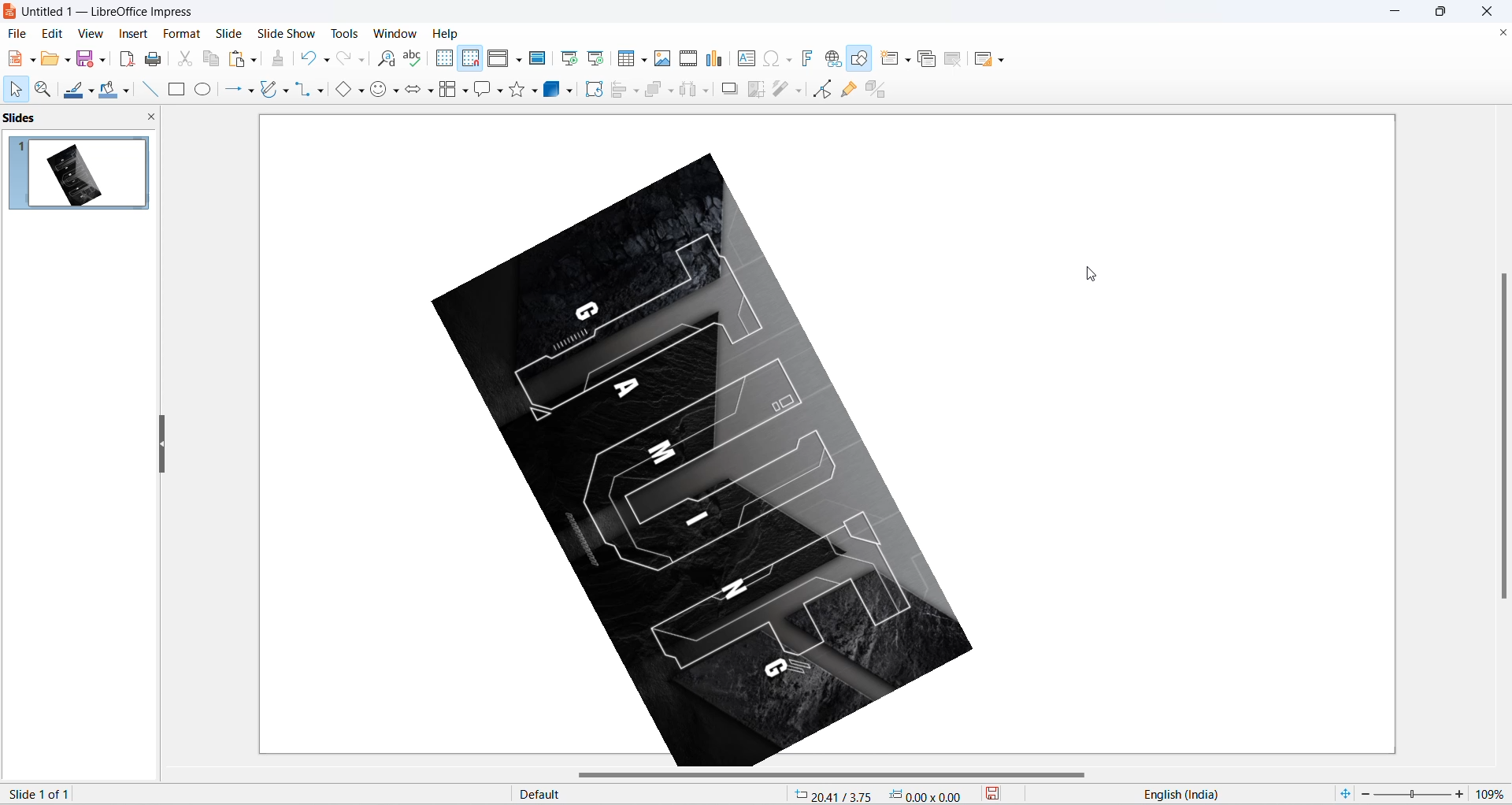 The height and width of the screenshot is (805, 1512). Describe the element at coordinates (636, 90) in the screenshot. I see `align options` at that location.